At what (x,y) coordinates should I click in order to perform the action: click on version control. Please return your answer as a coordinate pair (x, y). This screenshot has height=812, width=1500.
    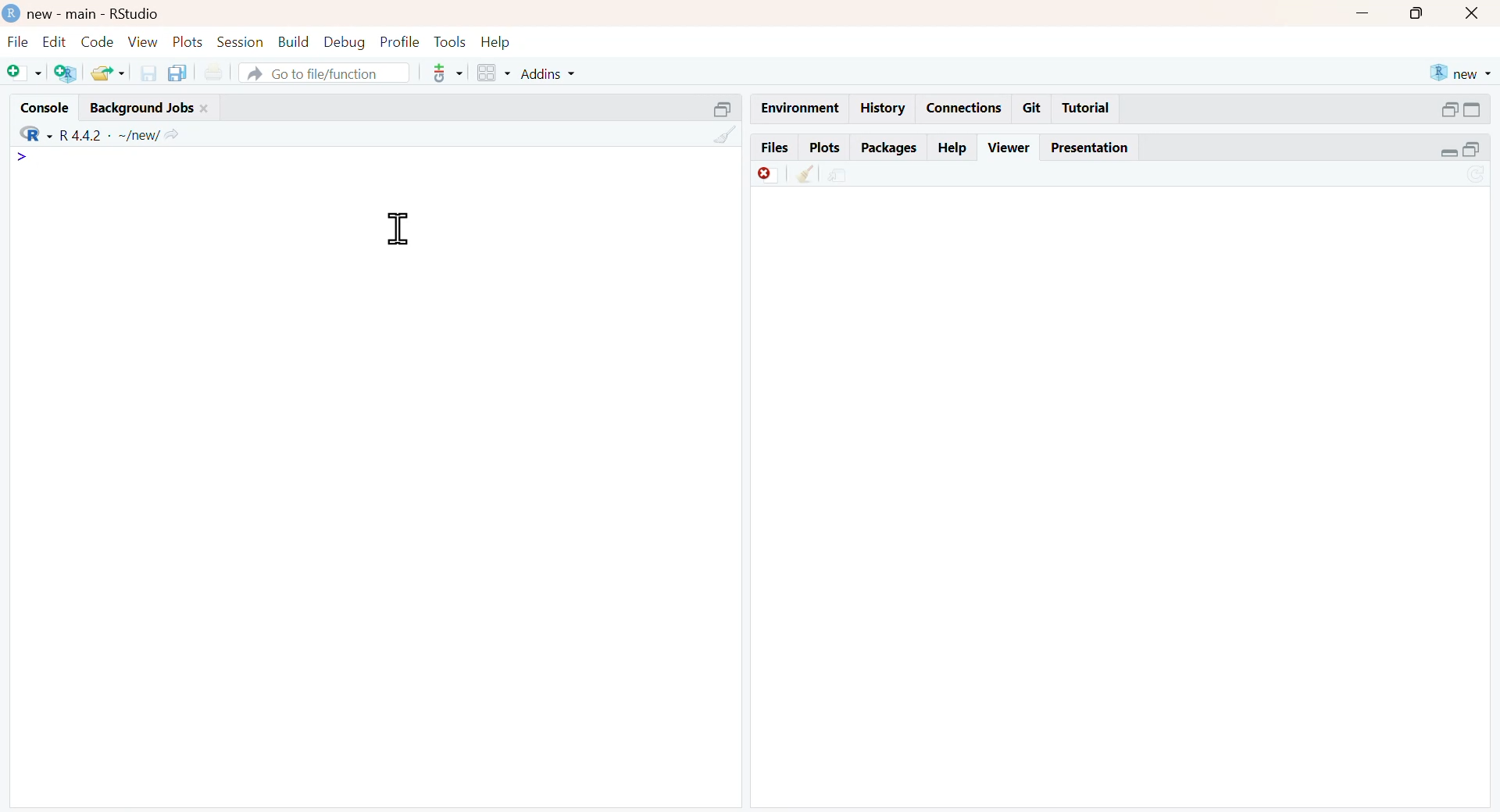
    Looking at the image, I should click on (444, 73).